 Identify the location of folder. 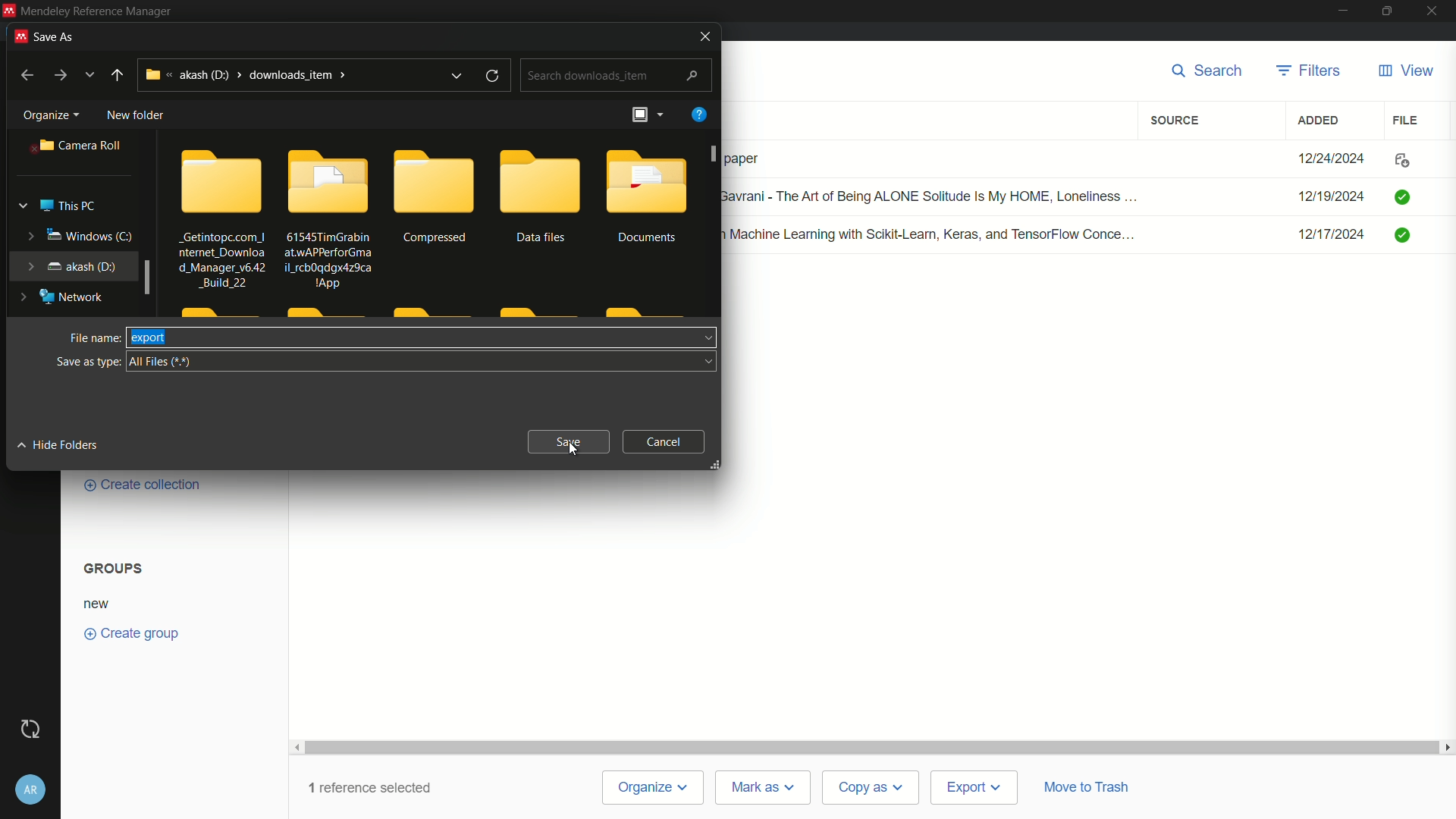
(646, 180).